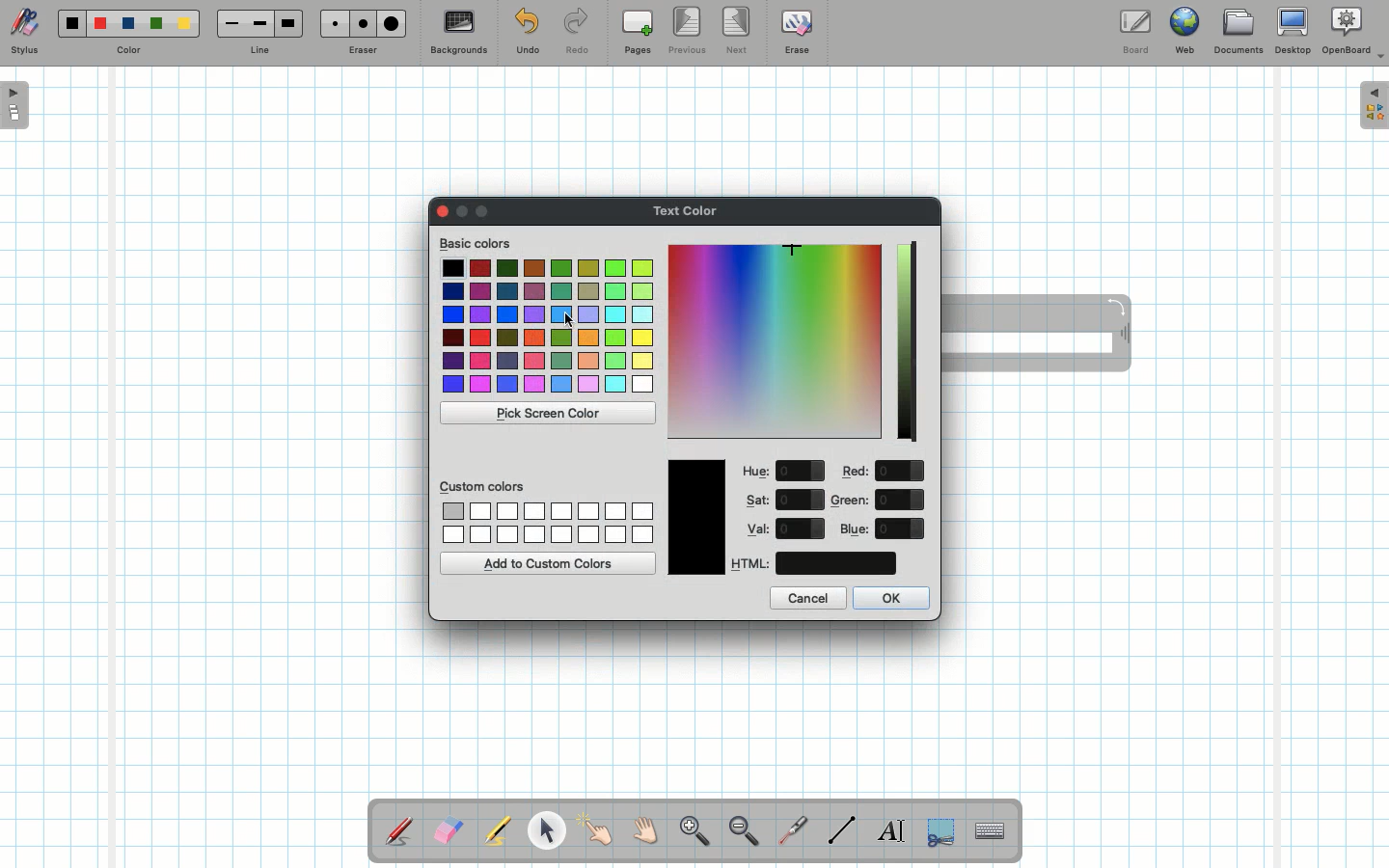 The height and width of the screenshot is (868, 1389). I want to click on value, so click(801, 529).